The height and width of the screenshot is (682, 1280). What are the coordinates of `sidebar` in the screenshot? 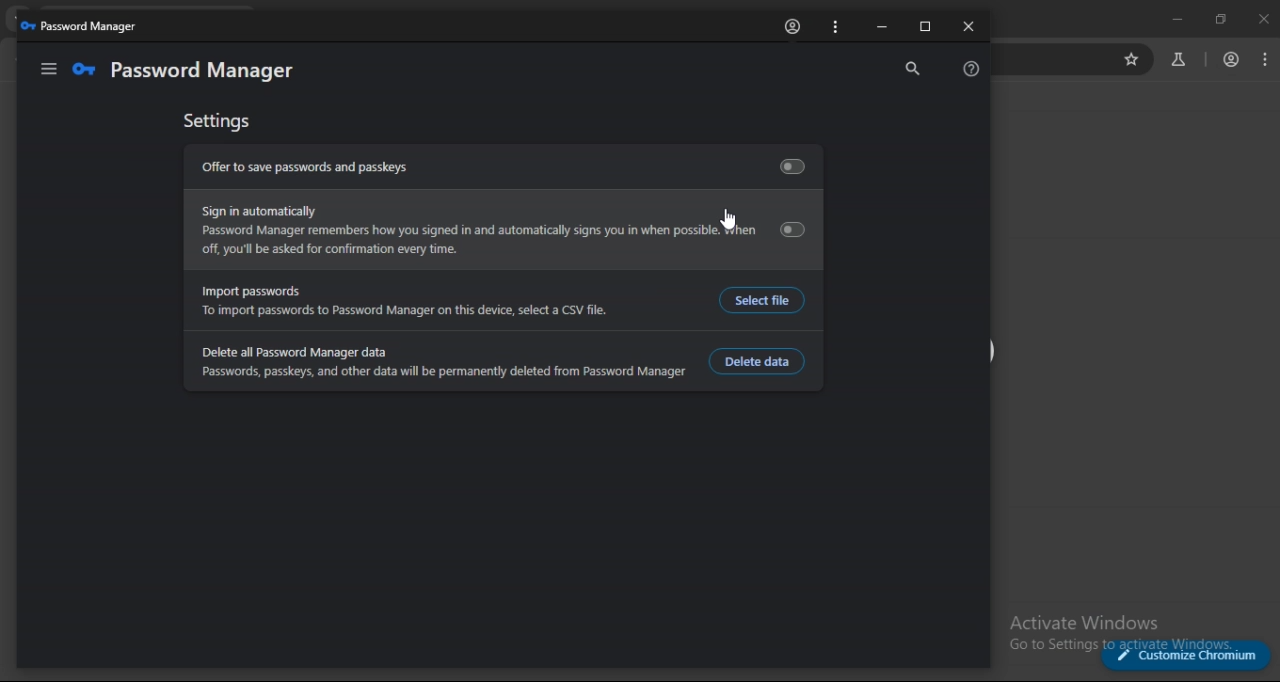 It's located at (48, 70).